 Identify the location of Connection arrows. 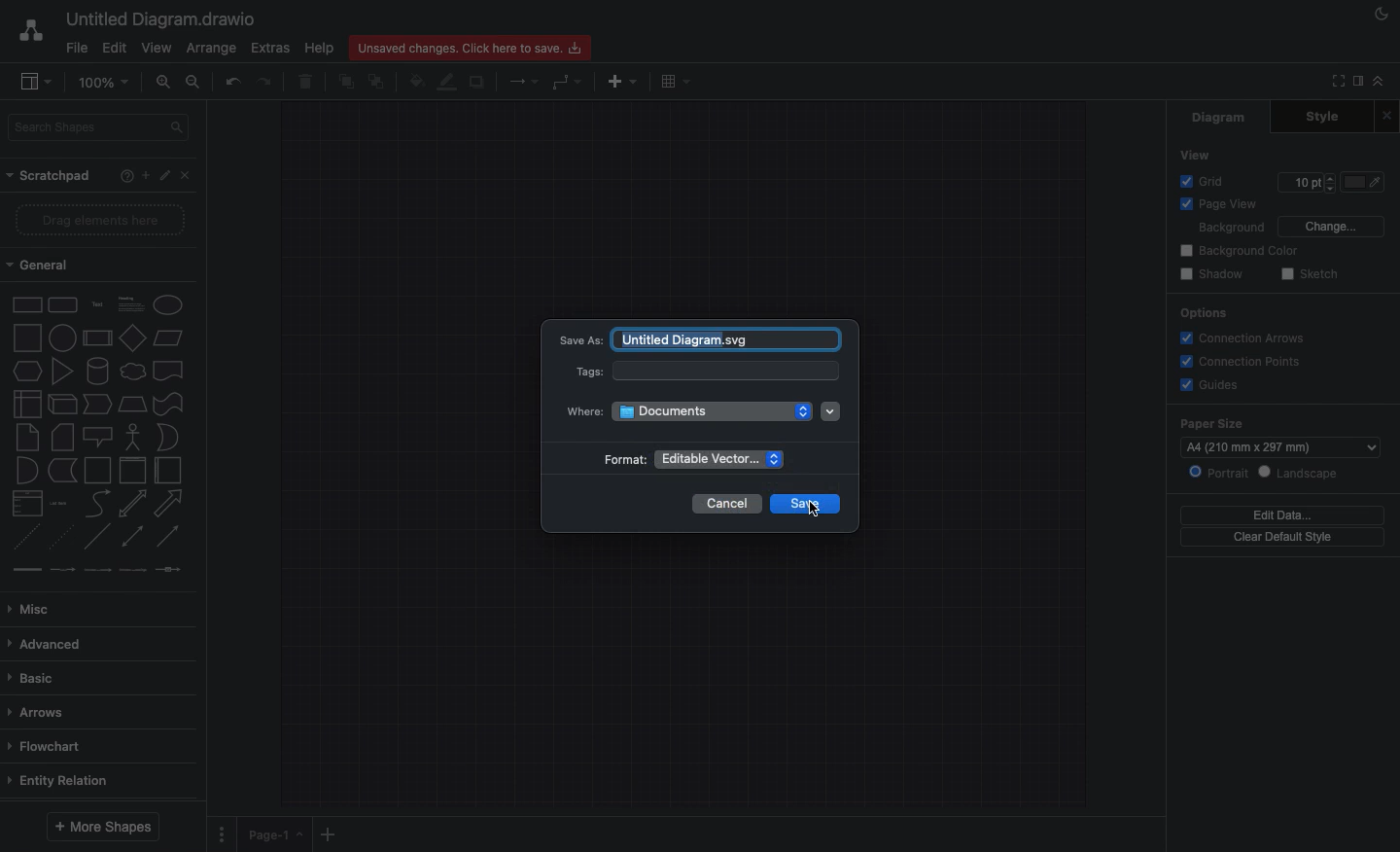
(1246, 338).